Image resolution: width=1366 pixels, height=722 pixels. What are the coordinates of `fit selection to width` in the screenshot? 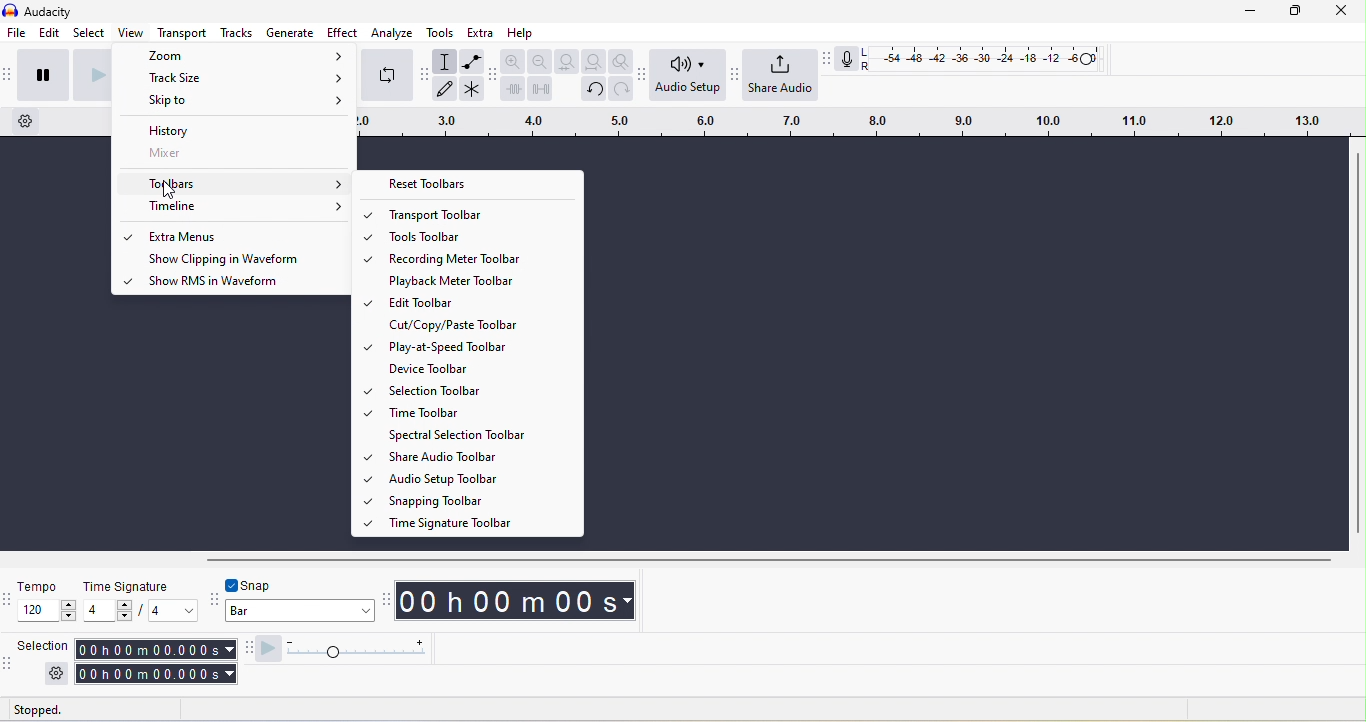 It's located at (567, 61).